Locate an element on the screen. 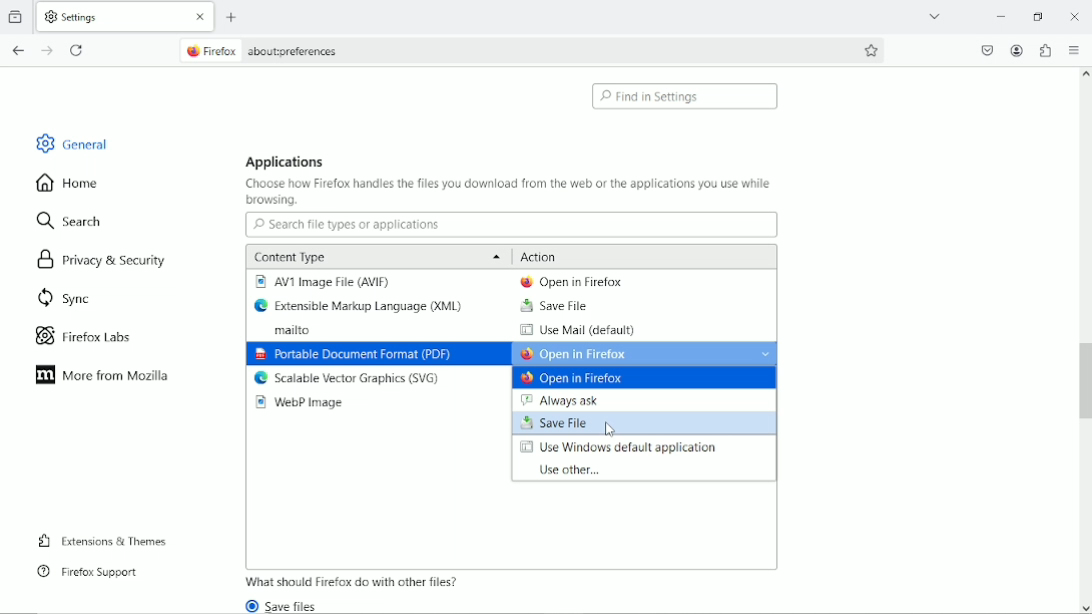  mailto is located at coordinates (285, 331).